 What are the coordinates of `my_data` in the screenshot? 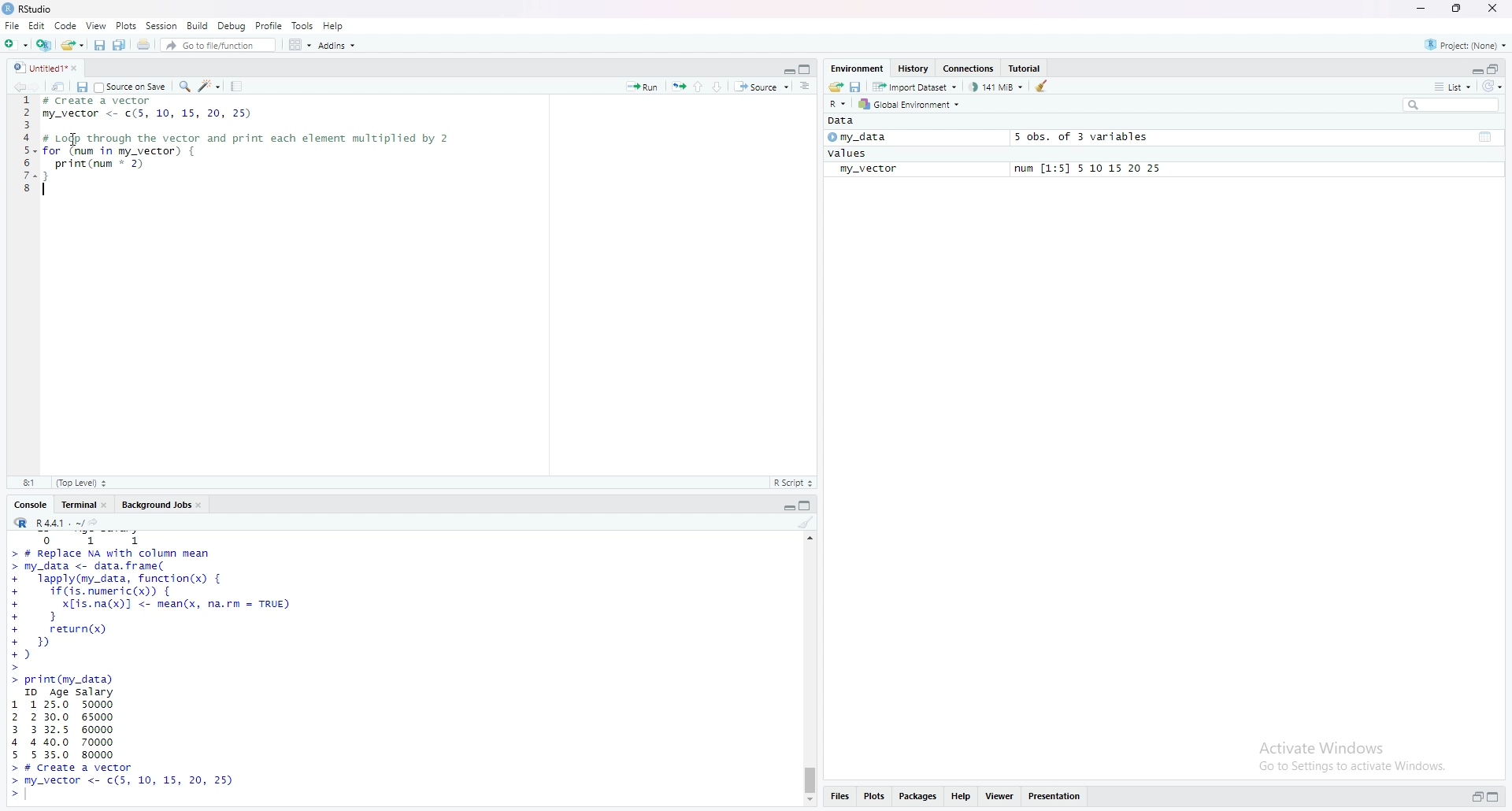 It's located at (861, 137).